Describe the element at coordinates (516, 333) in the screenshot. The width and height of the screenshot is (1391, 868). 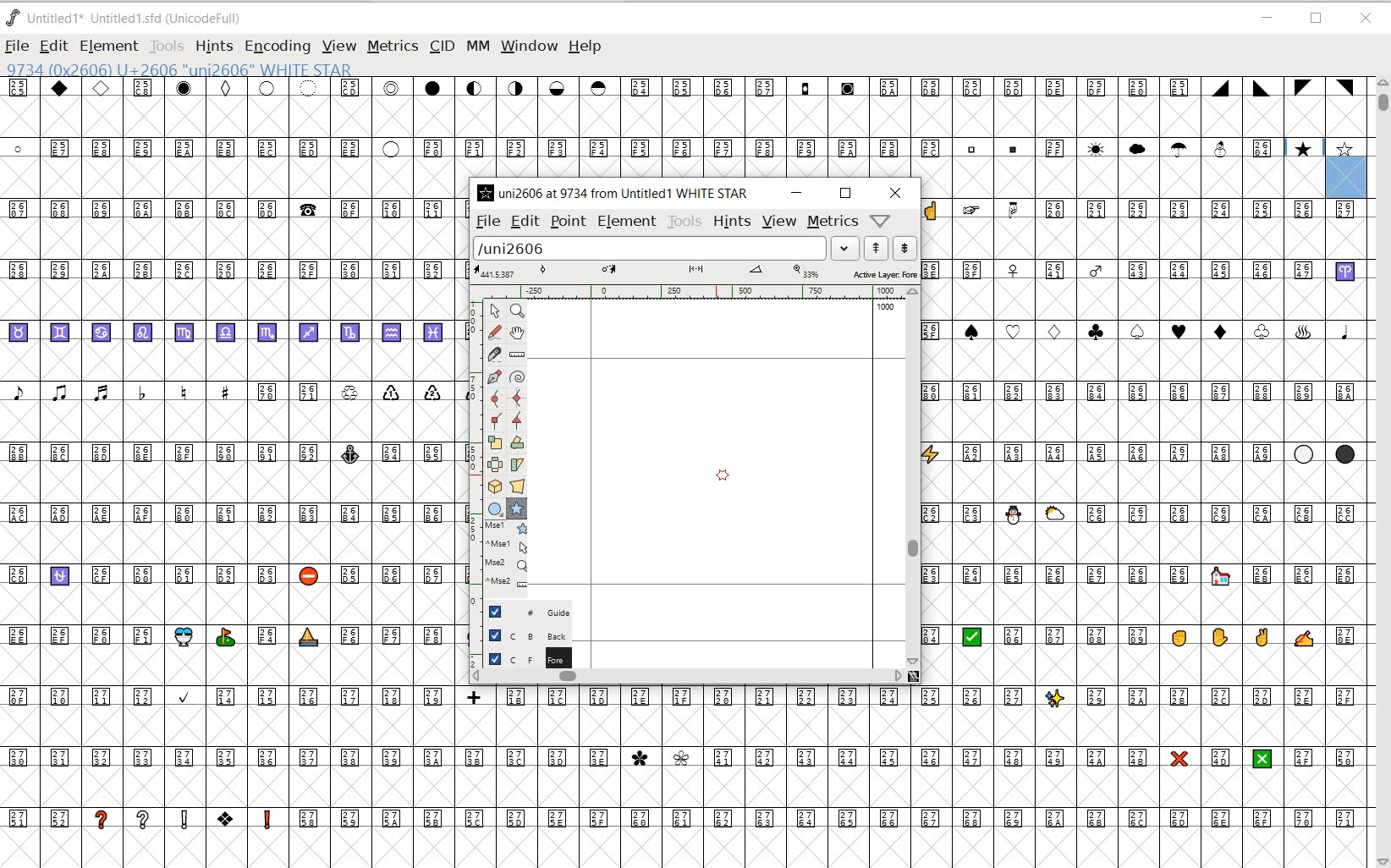
I see `SCROLL BY HAND` at that location.